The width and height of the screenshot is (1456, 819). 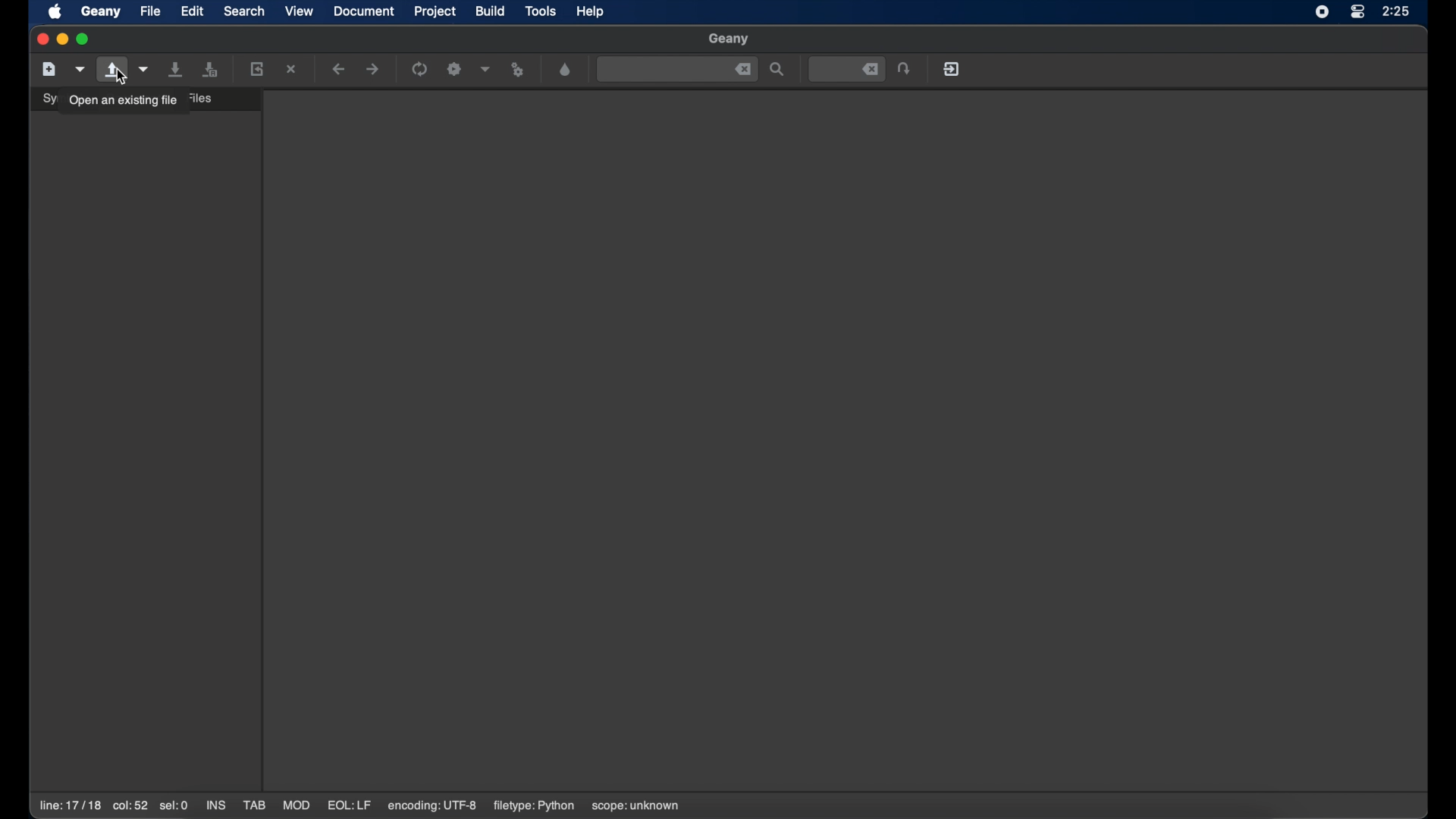 What do you see at coordinates (55, 12) in the screenshot?
I see `apple icon` at bounding box center [55, 12].